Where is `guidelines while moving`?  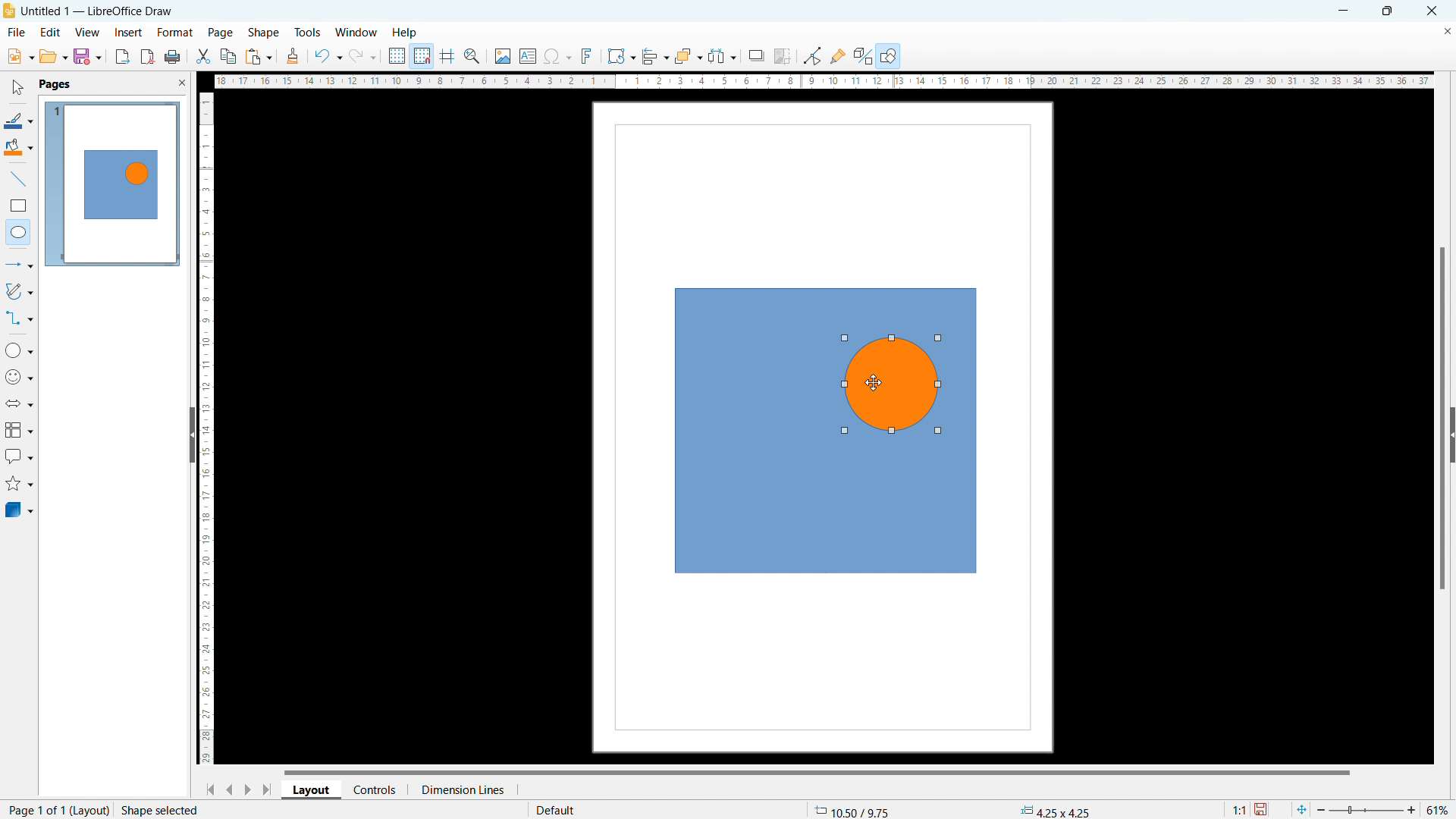
guidelines while moving is located at coordinates (447, 57).